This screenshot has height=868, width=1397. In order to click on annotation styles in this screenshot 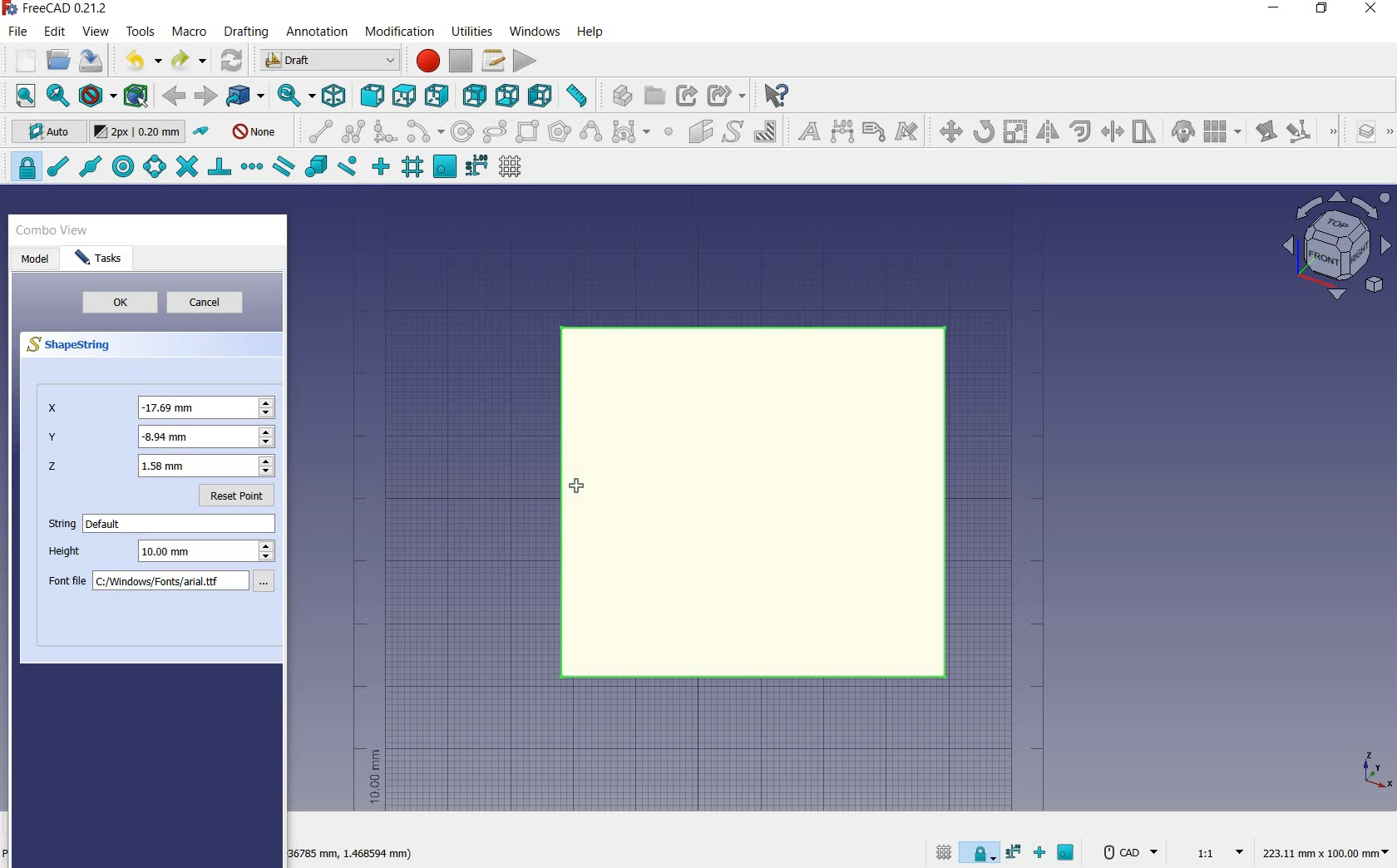, I will do `click(908, 134)`.